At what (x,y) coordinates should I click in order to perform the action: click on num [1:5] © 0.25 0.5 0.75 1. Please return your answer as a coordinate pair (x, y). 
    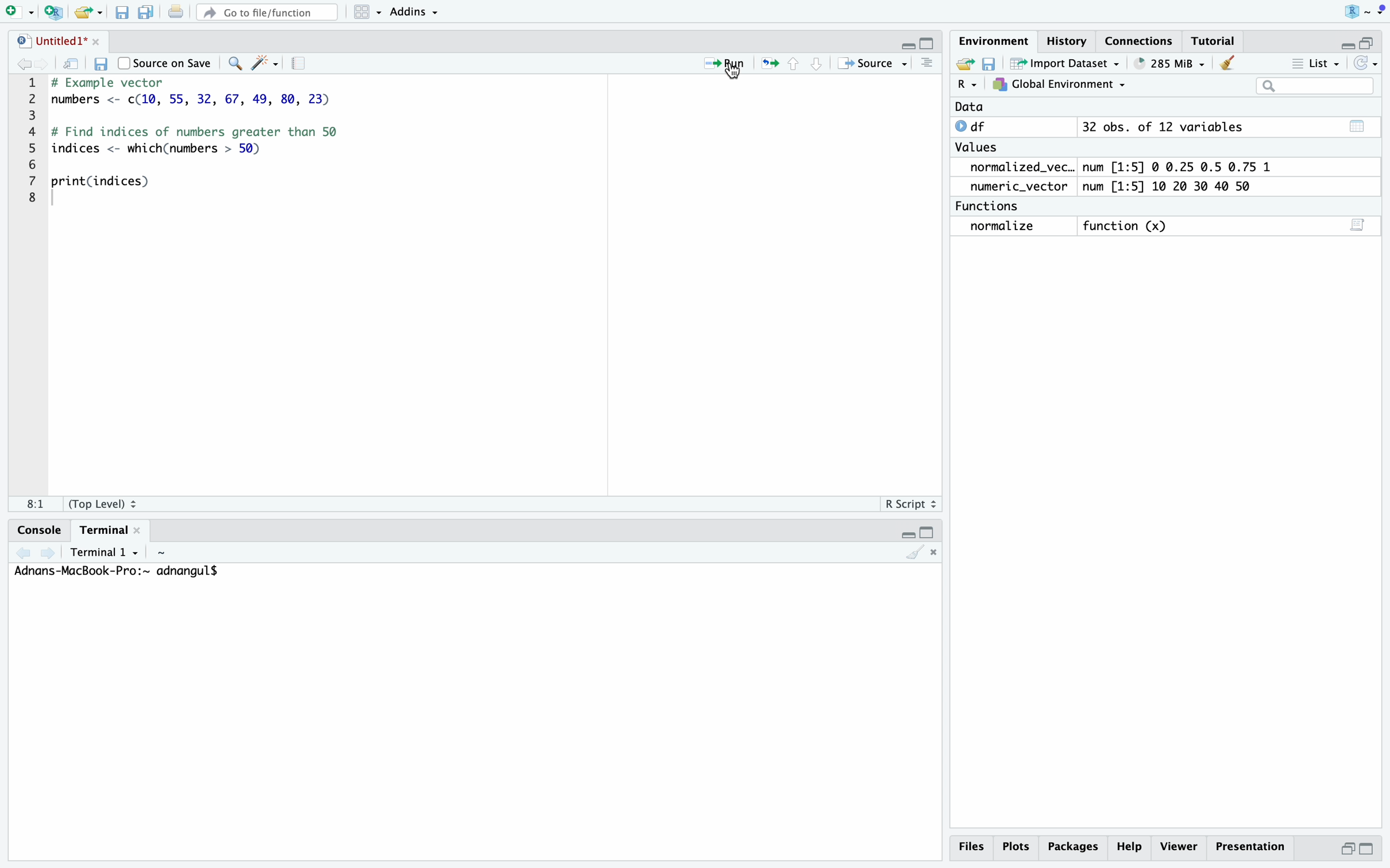
    Looking at the image, I should click on (1185, 165).